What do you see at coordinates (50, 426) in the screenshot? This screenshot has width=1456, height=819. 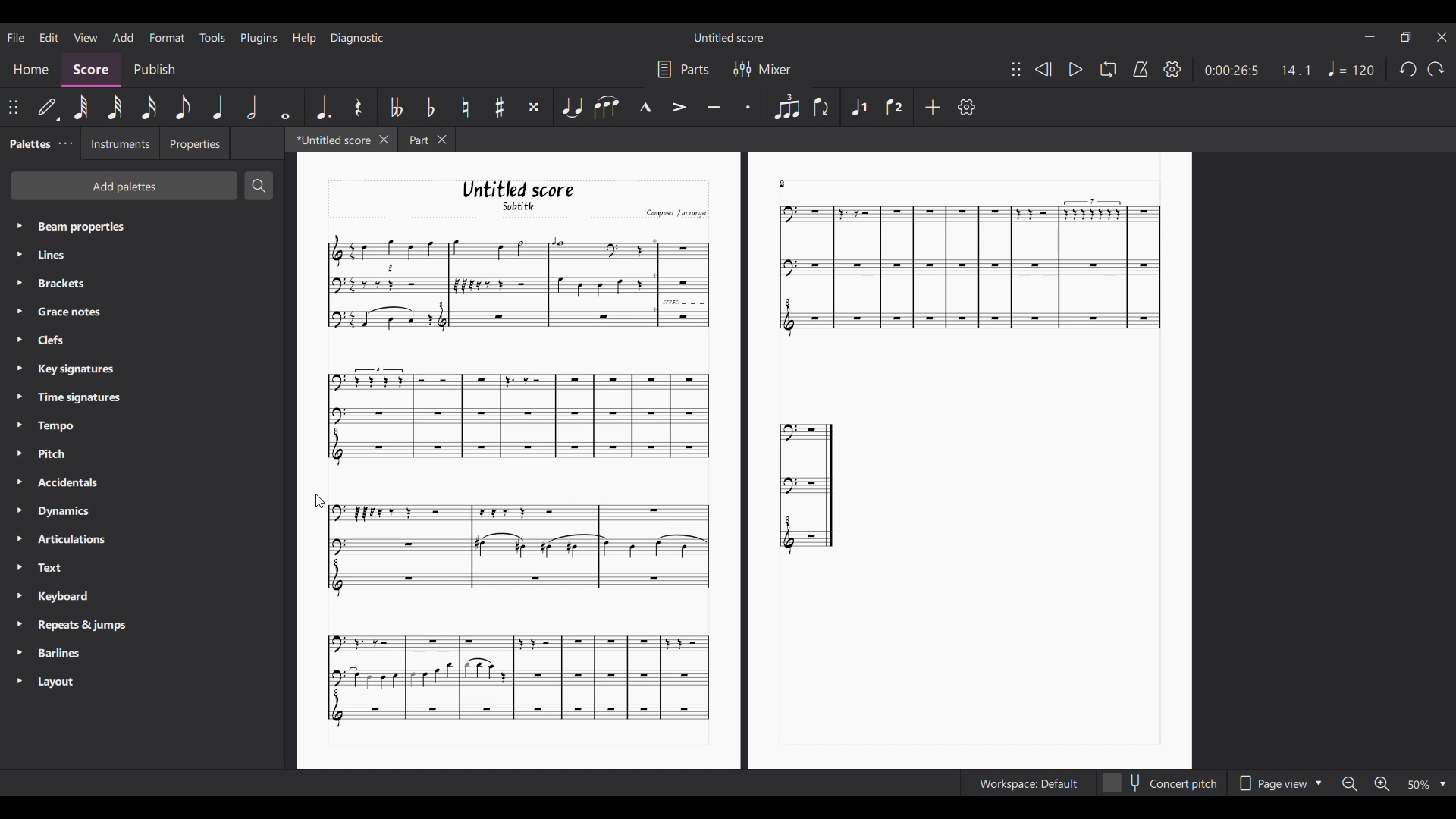 I see `> Tempo` at bounding box center [50, 426].